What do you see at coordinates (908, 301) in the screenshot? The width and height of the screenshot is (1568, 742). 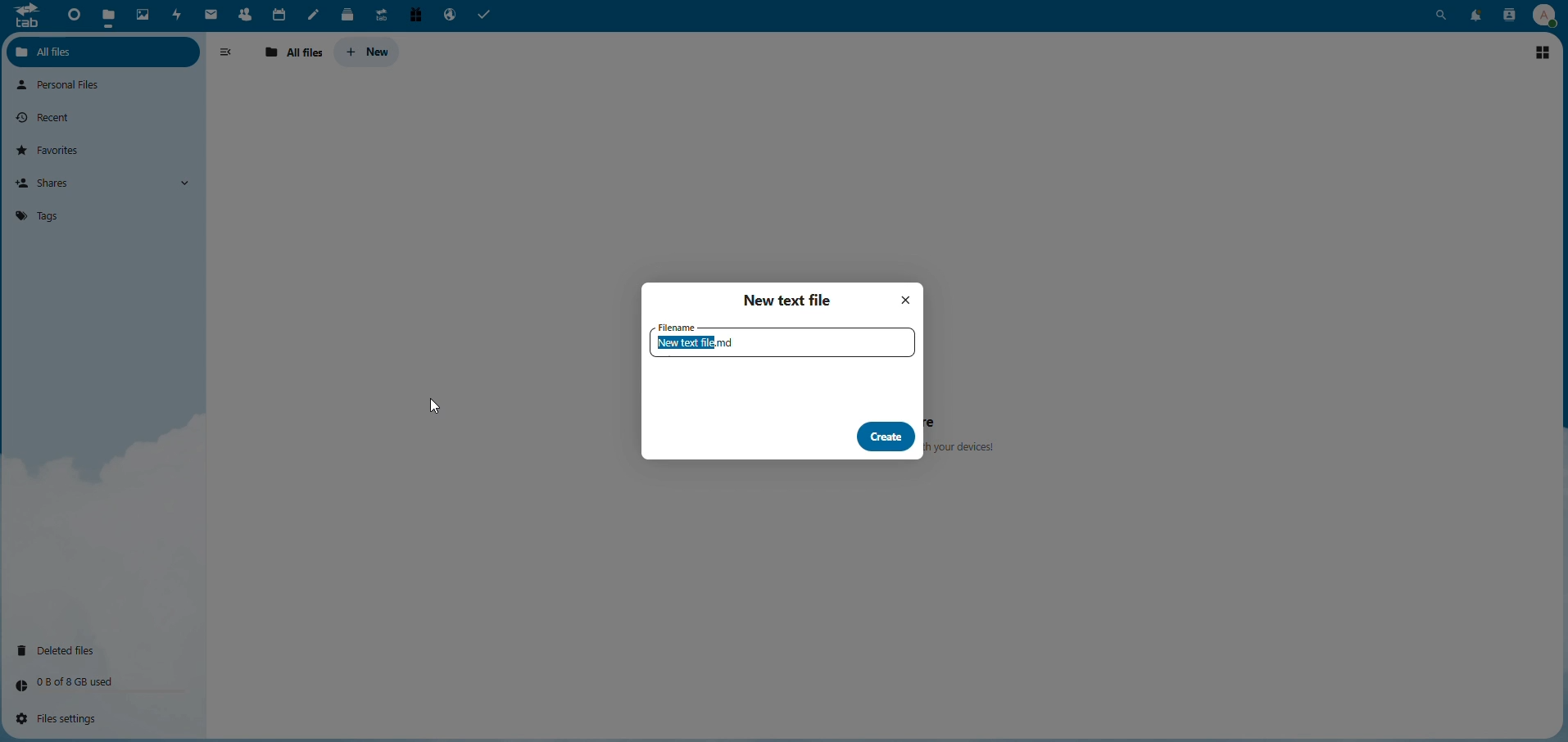 I see `Close` at bounding box center [908, 301].